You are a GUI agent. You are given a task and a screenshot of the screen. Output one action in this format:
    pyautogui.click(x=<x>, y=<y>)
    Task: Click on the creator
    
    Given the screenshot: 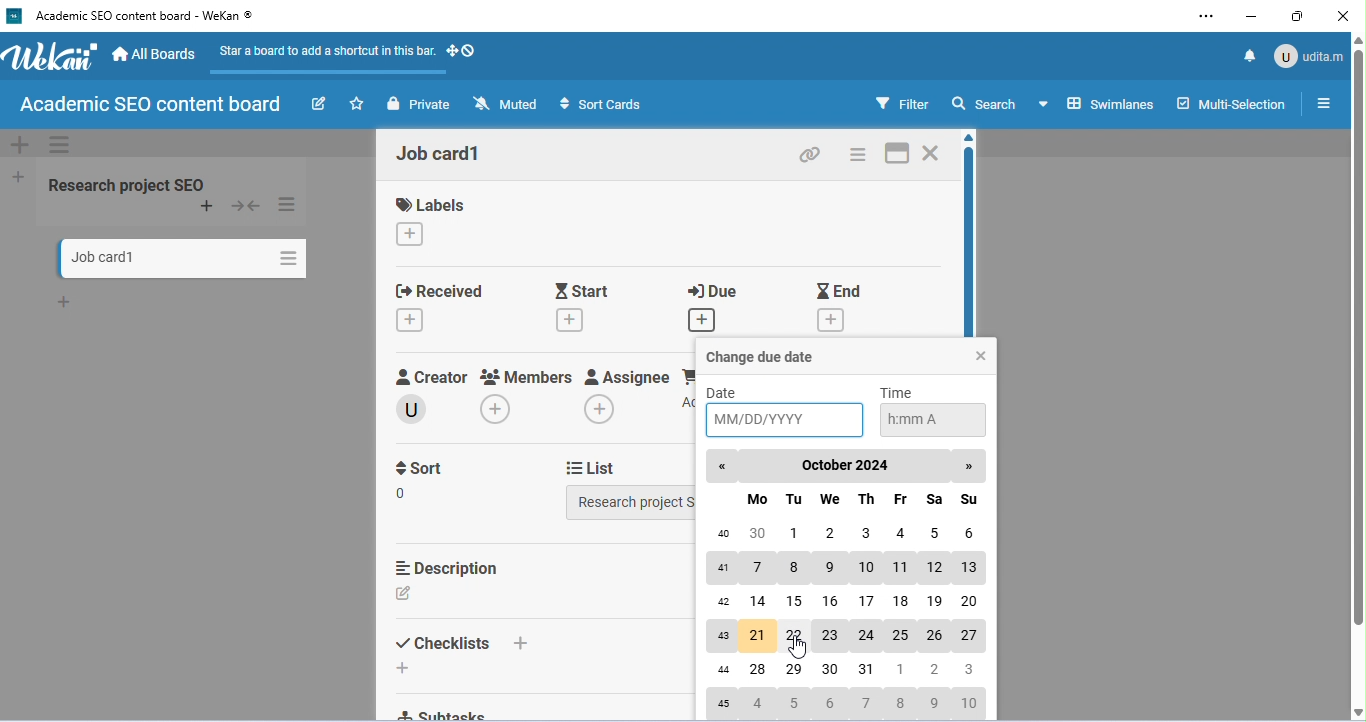 What is the action you would take?
    pyautogui.click(x=435, y=376)
    